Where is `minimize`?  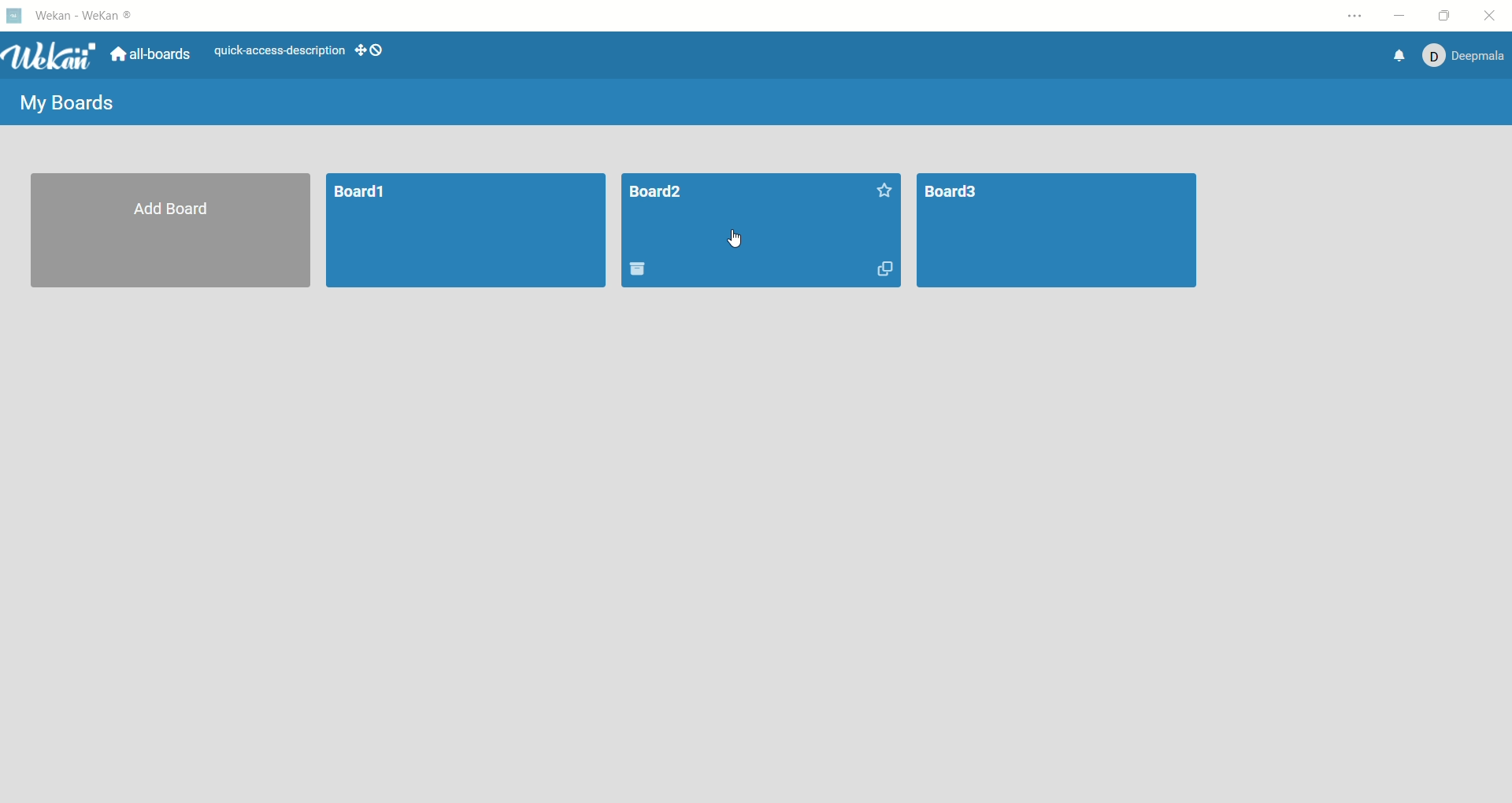 minimize is located at coordinates (1401, 18).